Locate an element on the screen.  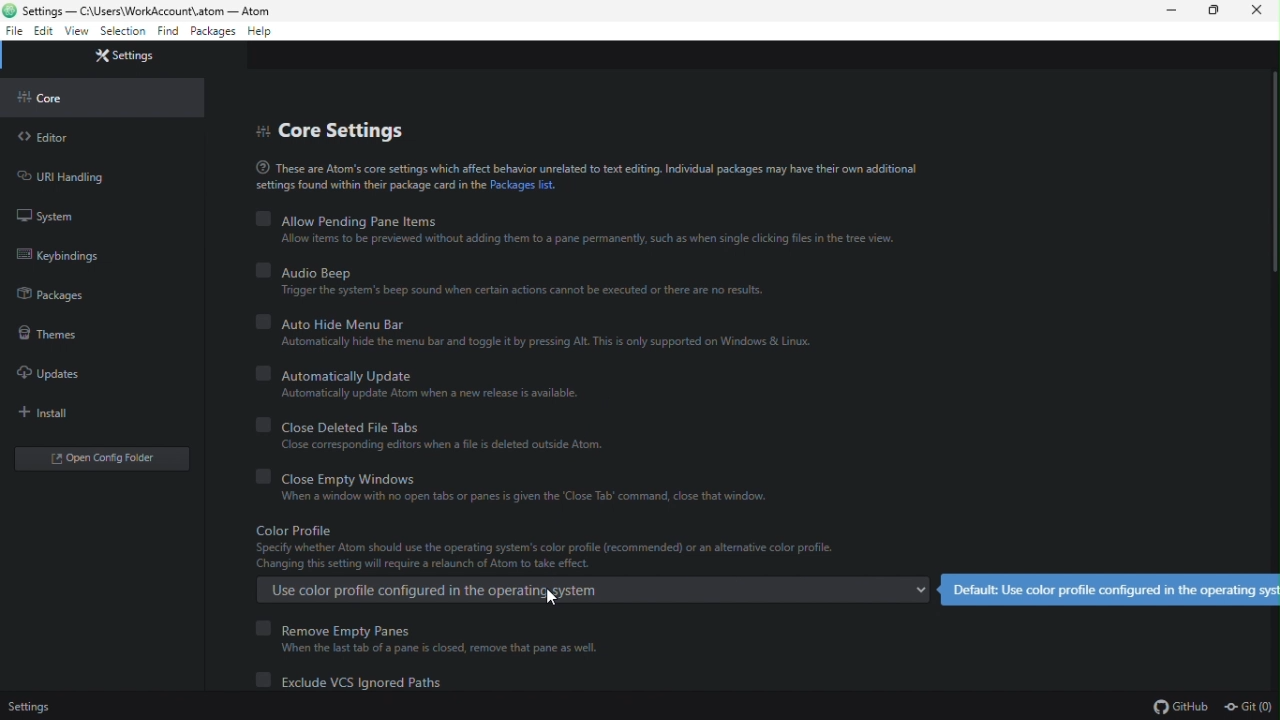
remove empty panes is located at coordinates (430, 637).